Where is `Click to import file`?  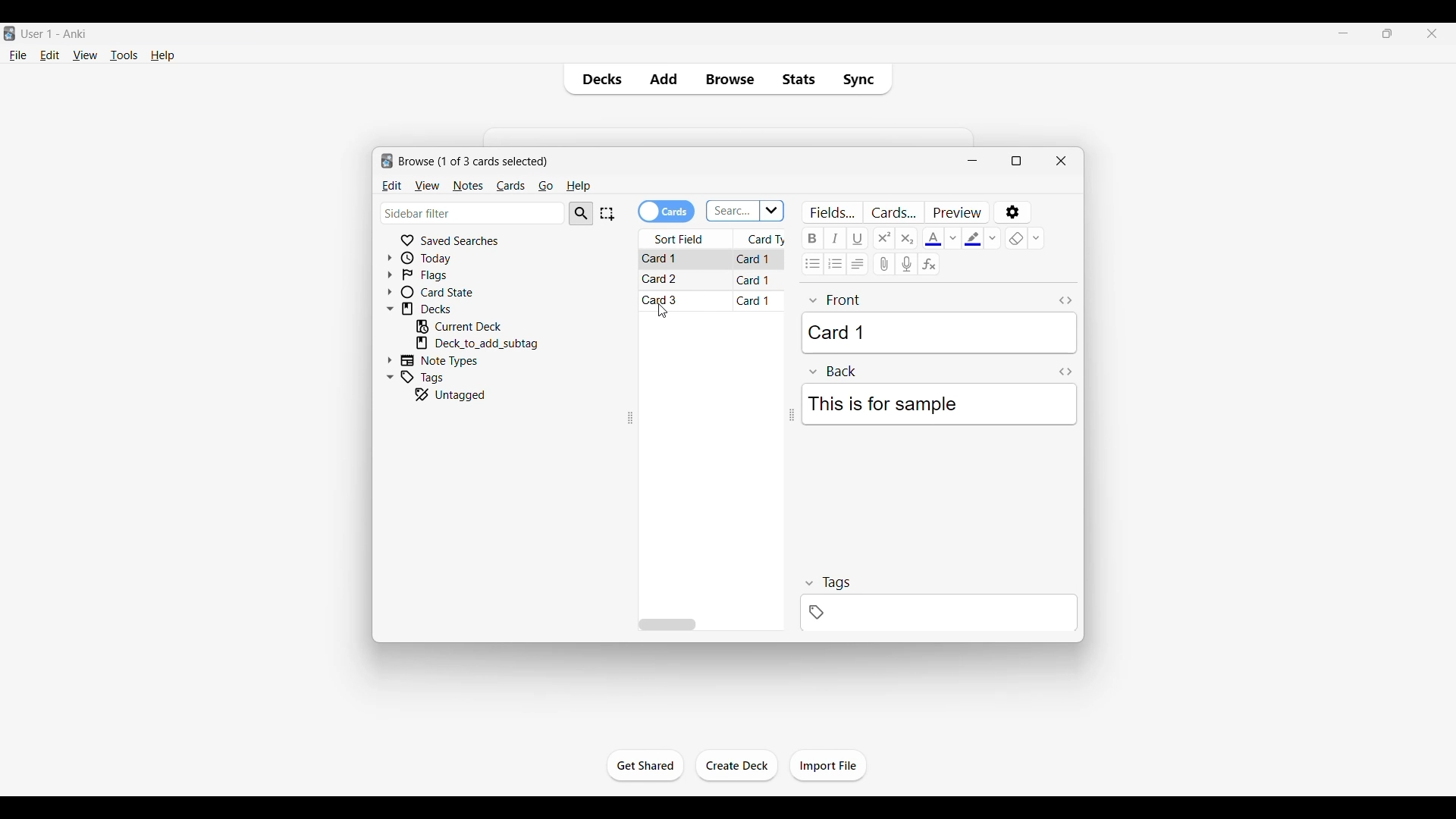
Click to import file is located at coordinates (829, 766).